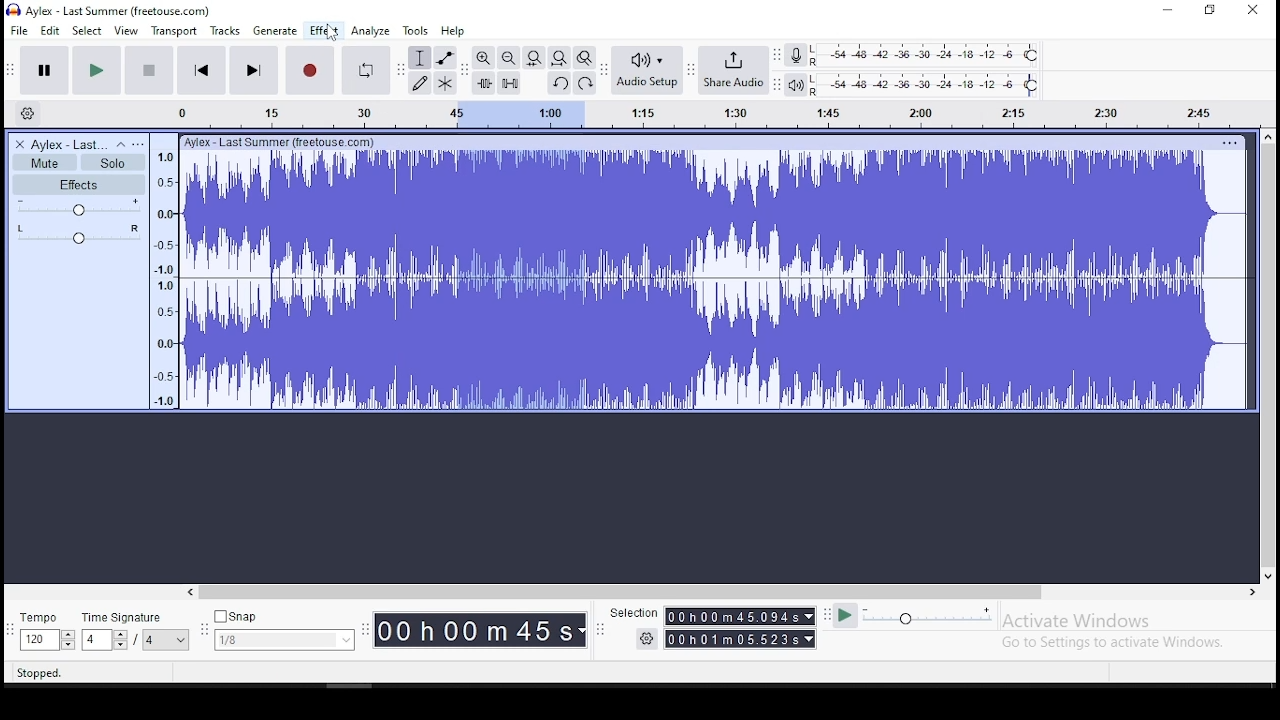  What do you see at coordinates (288, 142) in the screenshot?
I see `text` at bounding box center [288, 142].